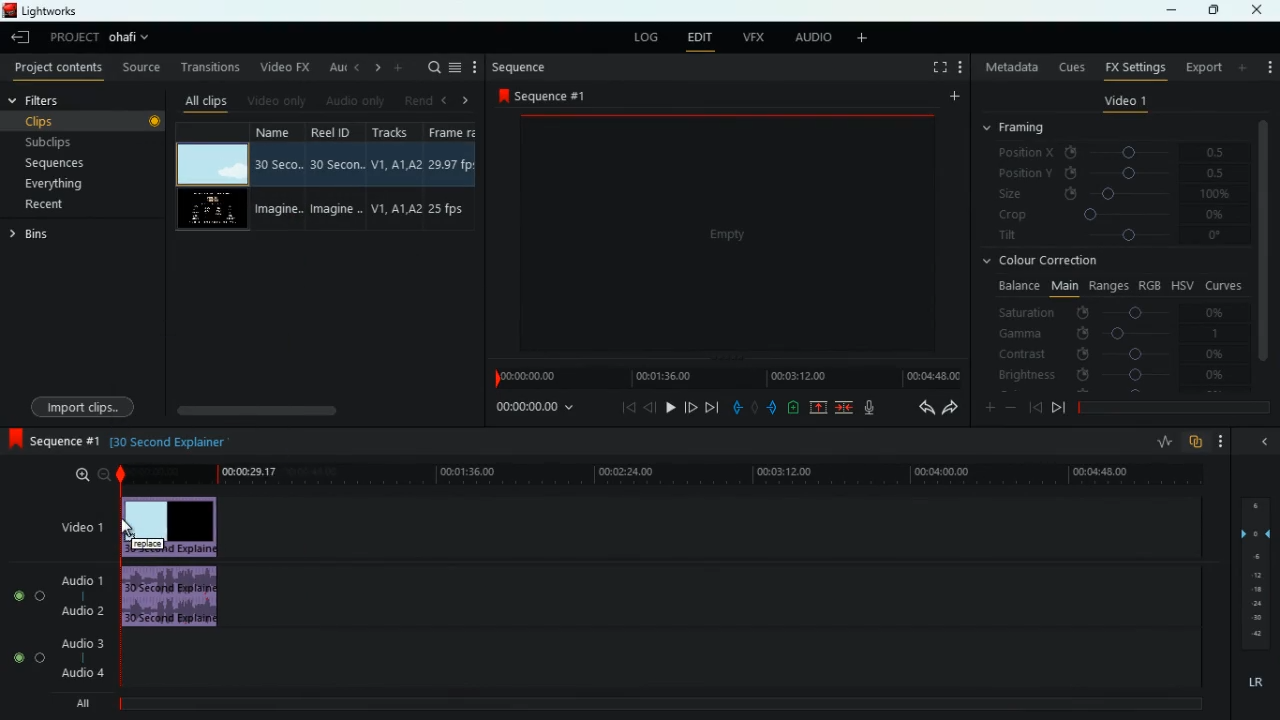 The height and width of the screenshot is (720, 1280). I want to click on , so click(155, 123).